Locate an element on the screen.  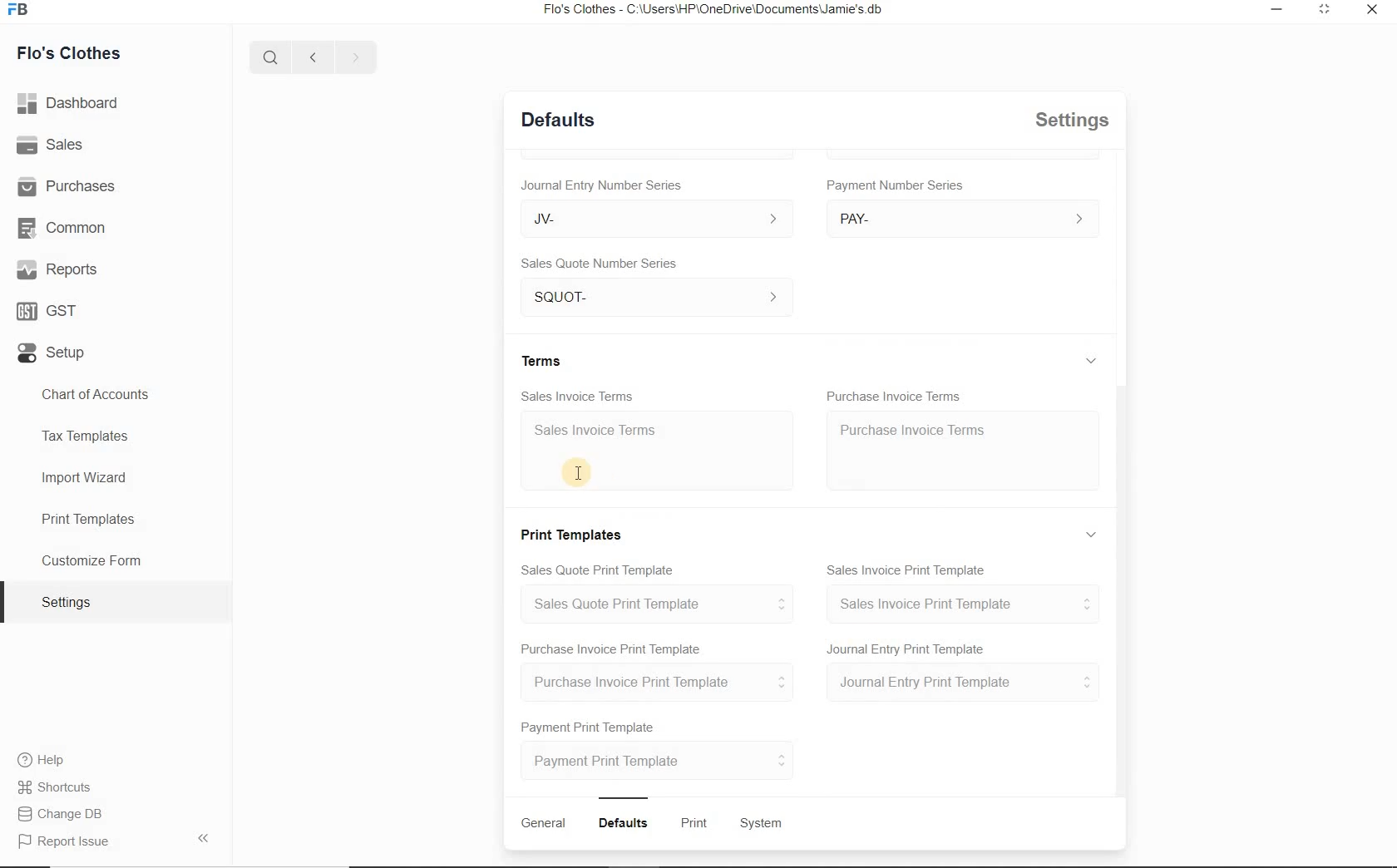
Import Wizard is located at coordinates (115, 479).